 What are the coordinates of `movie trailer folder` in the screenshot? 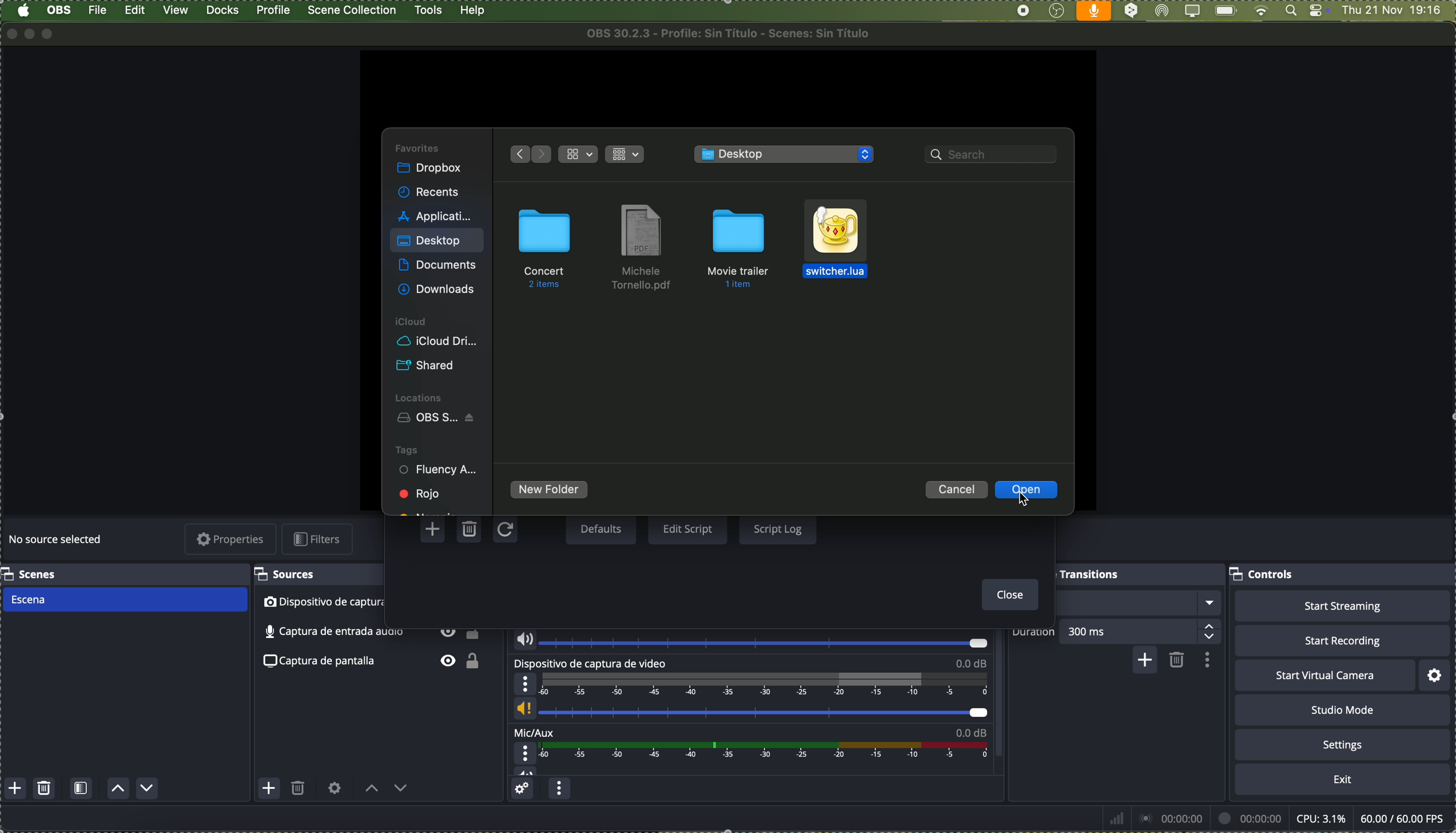 It's located at (742, 246).